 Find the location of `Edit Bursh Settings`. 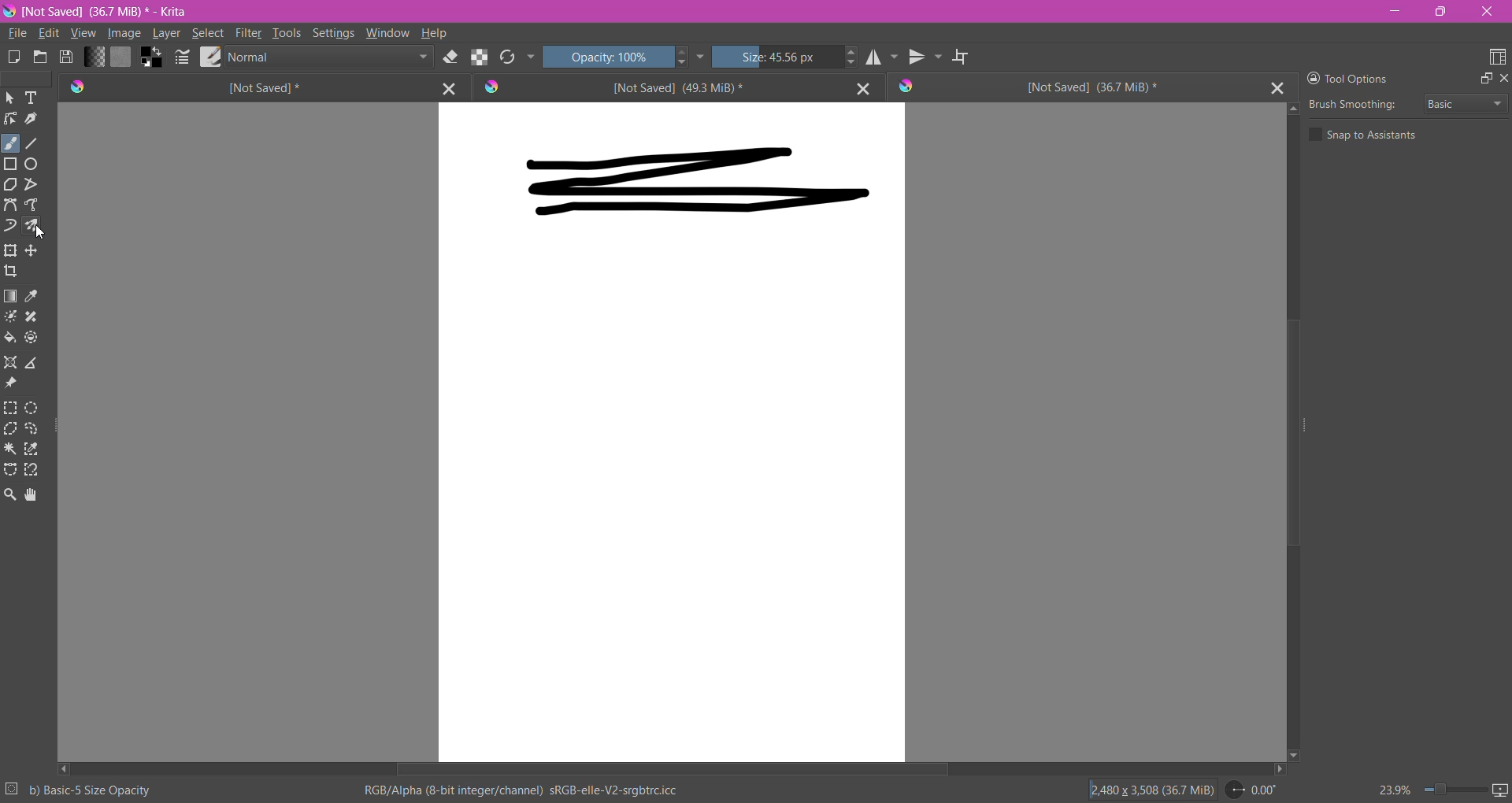

Edit Bursh Settings is located at coordinates (182, 58).